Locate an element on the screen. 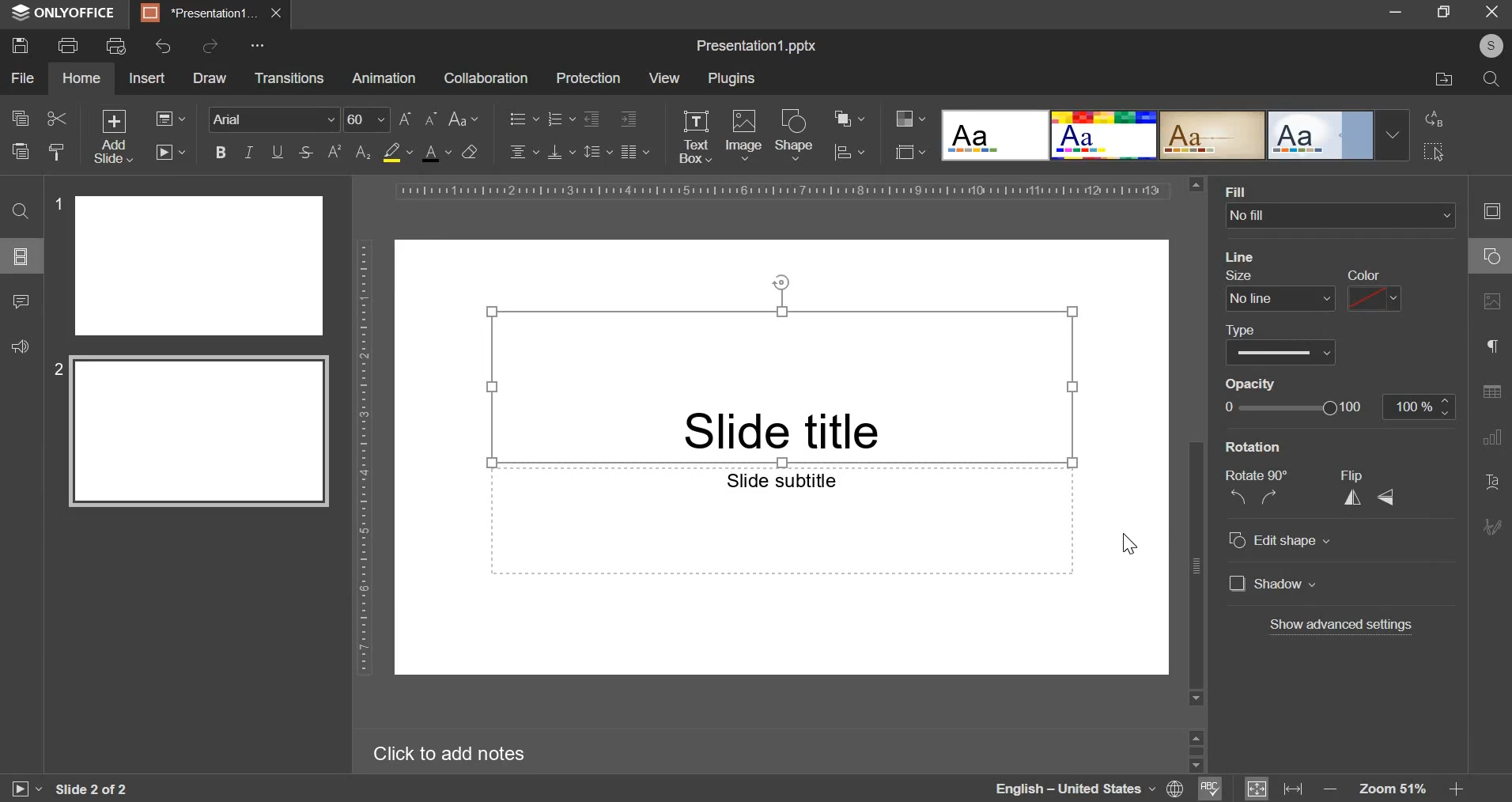  Cursor is located at coordinates (1127, 548).